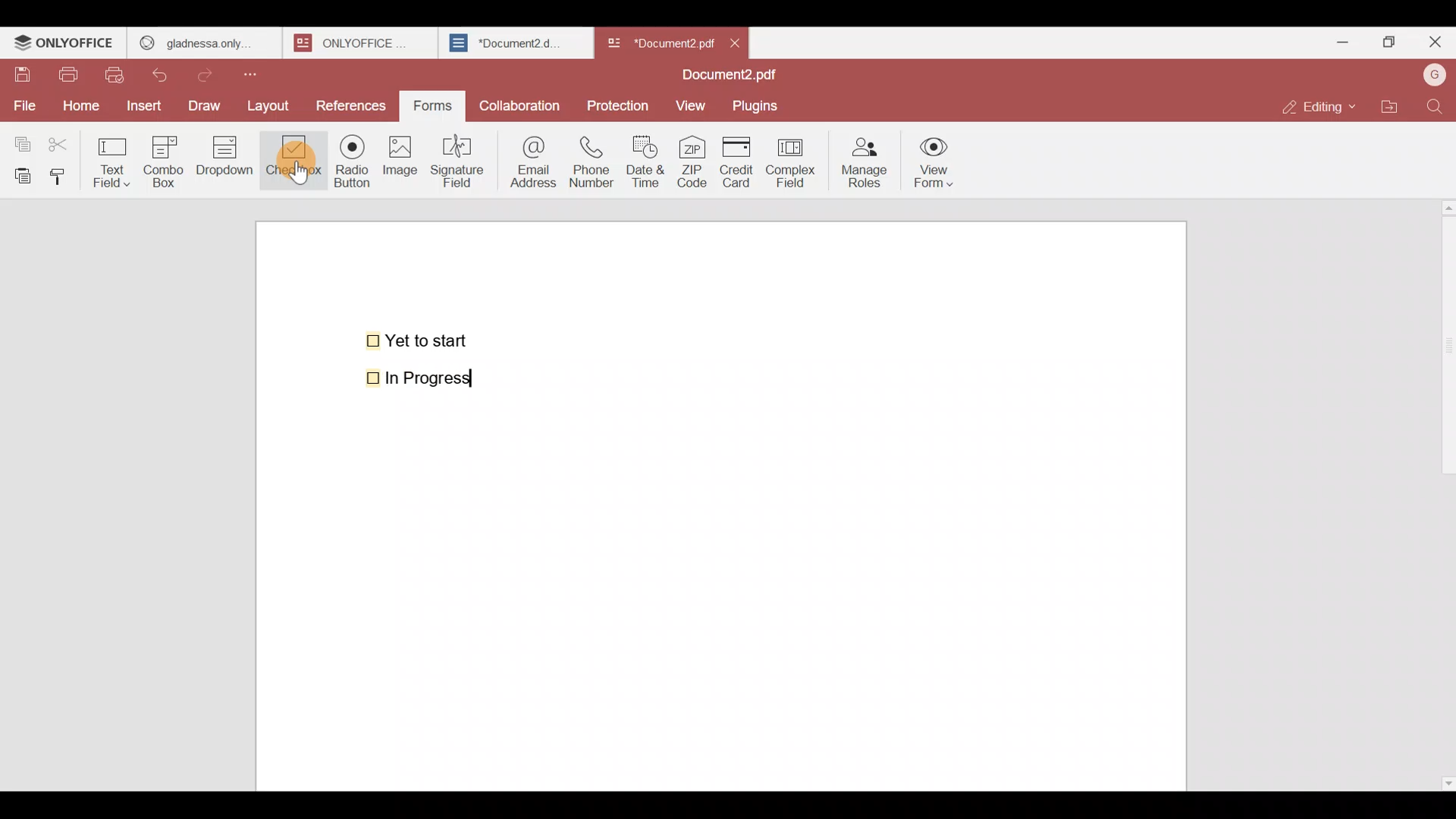 This screenshot has width=1456, height=819. I want to click on Phone number, so click(593, 162).